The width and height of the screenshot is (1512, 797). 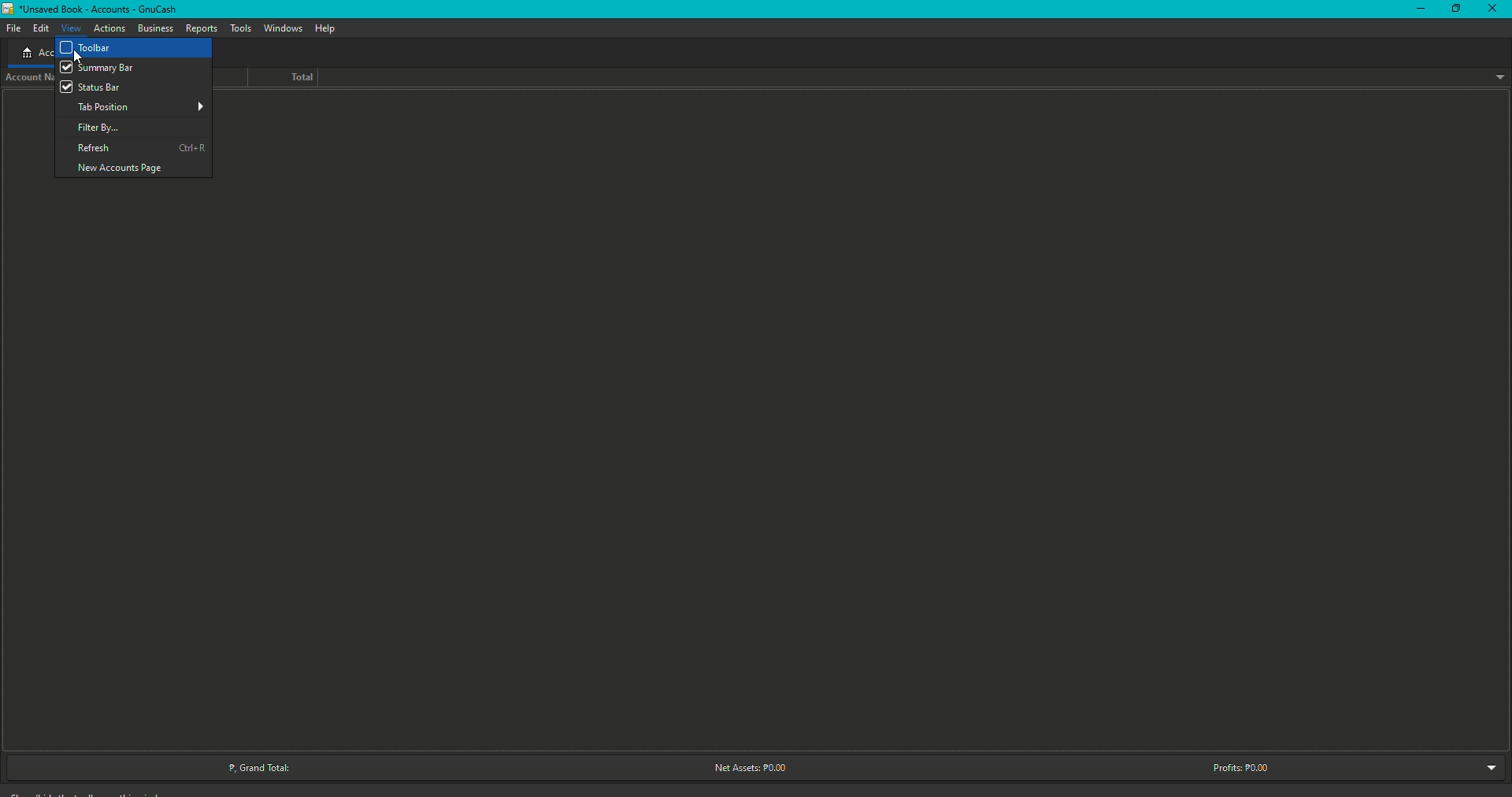 I want to click on Restore, so click(x=1454, y=8).